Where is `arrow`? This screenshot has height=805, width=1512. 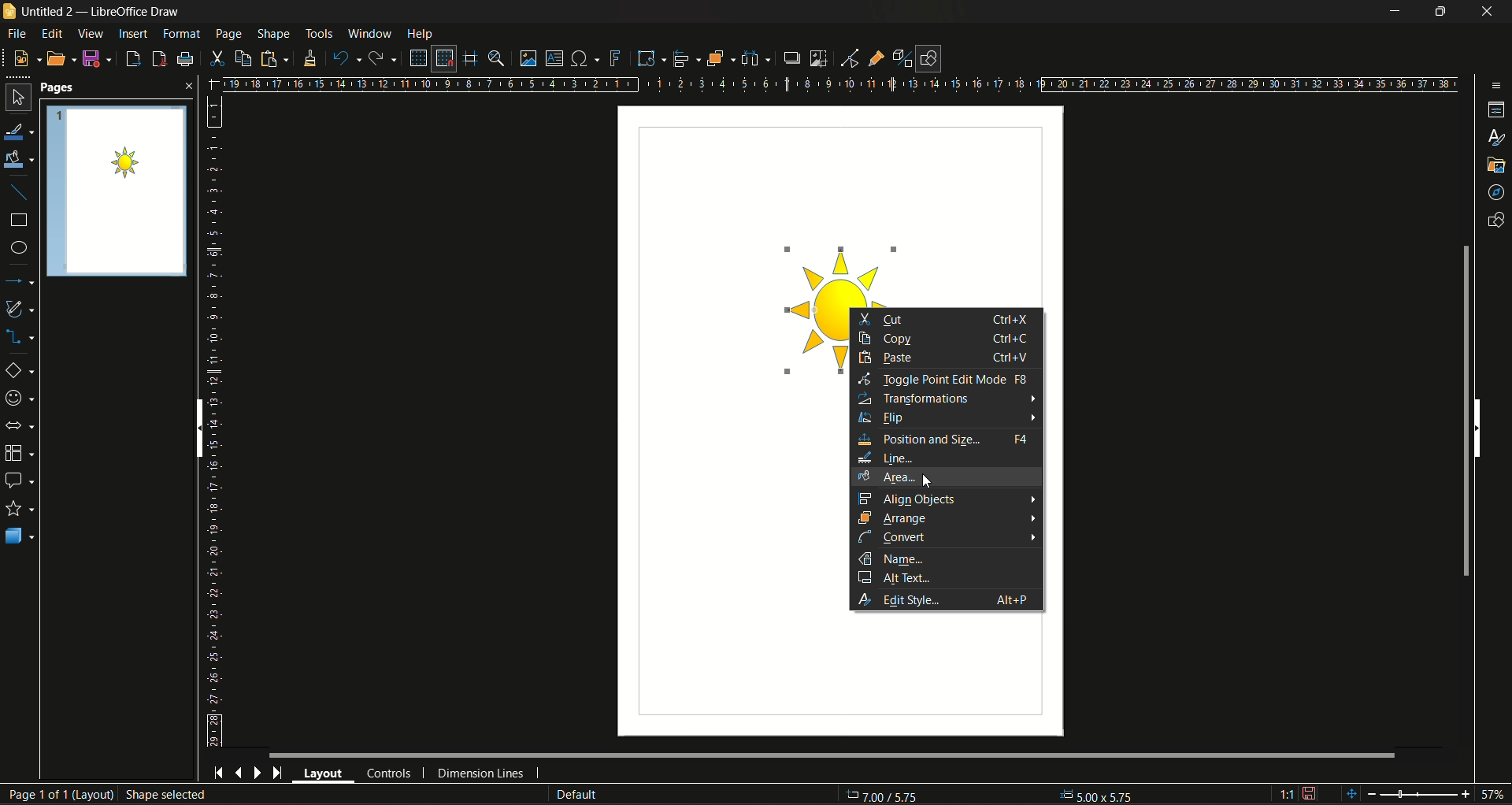 arrow is located at coordinates (1032, 518).